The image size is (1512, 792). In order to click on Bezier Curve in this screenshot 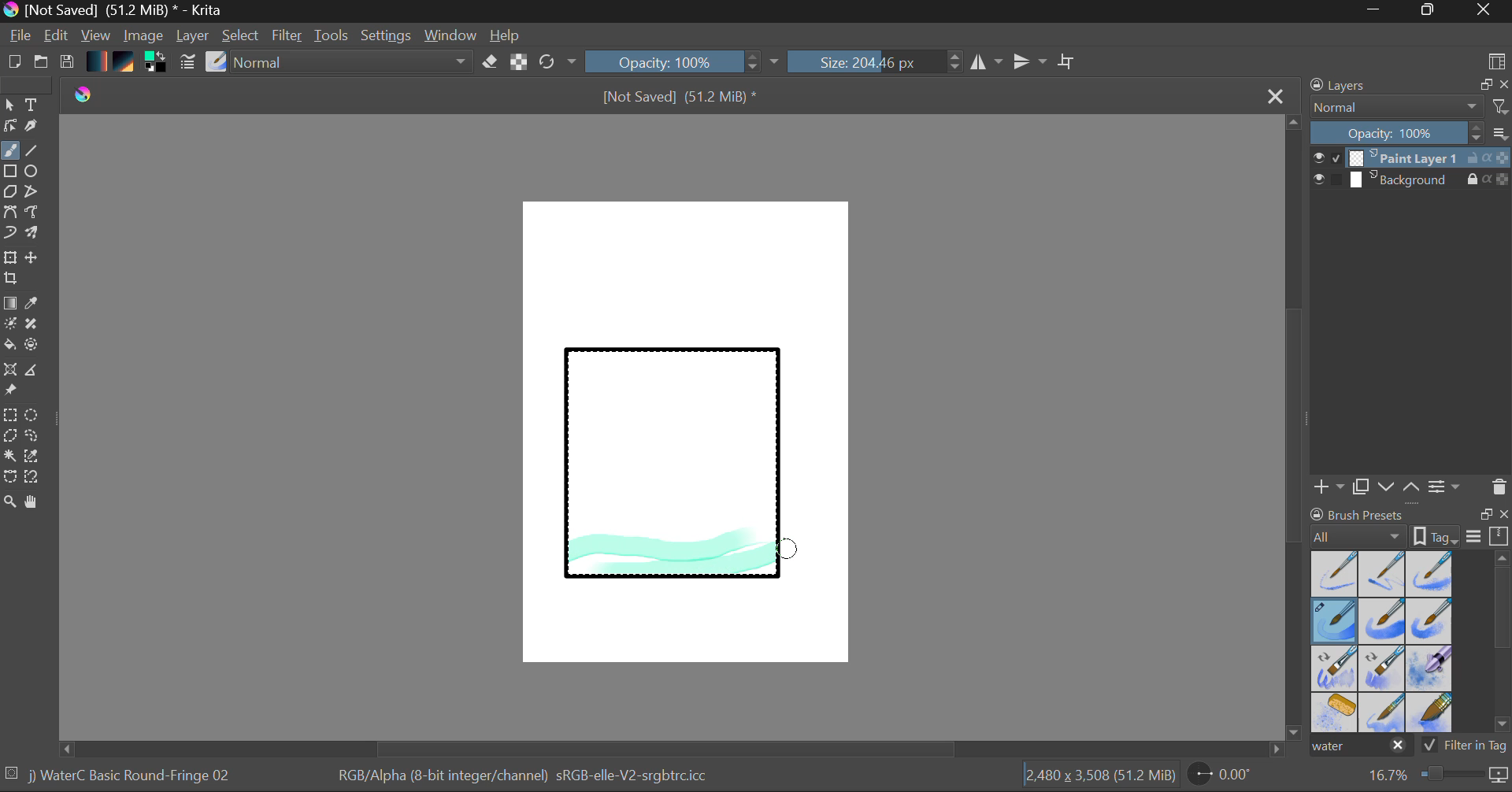, I will do `click(9, 213)`.